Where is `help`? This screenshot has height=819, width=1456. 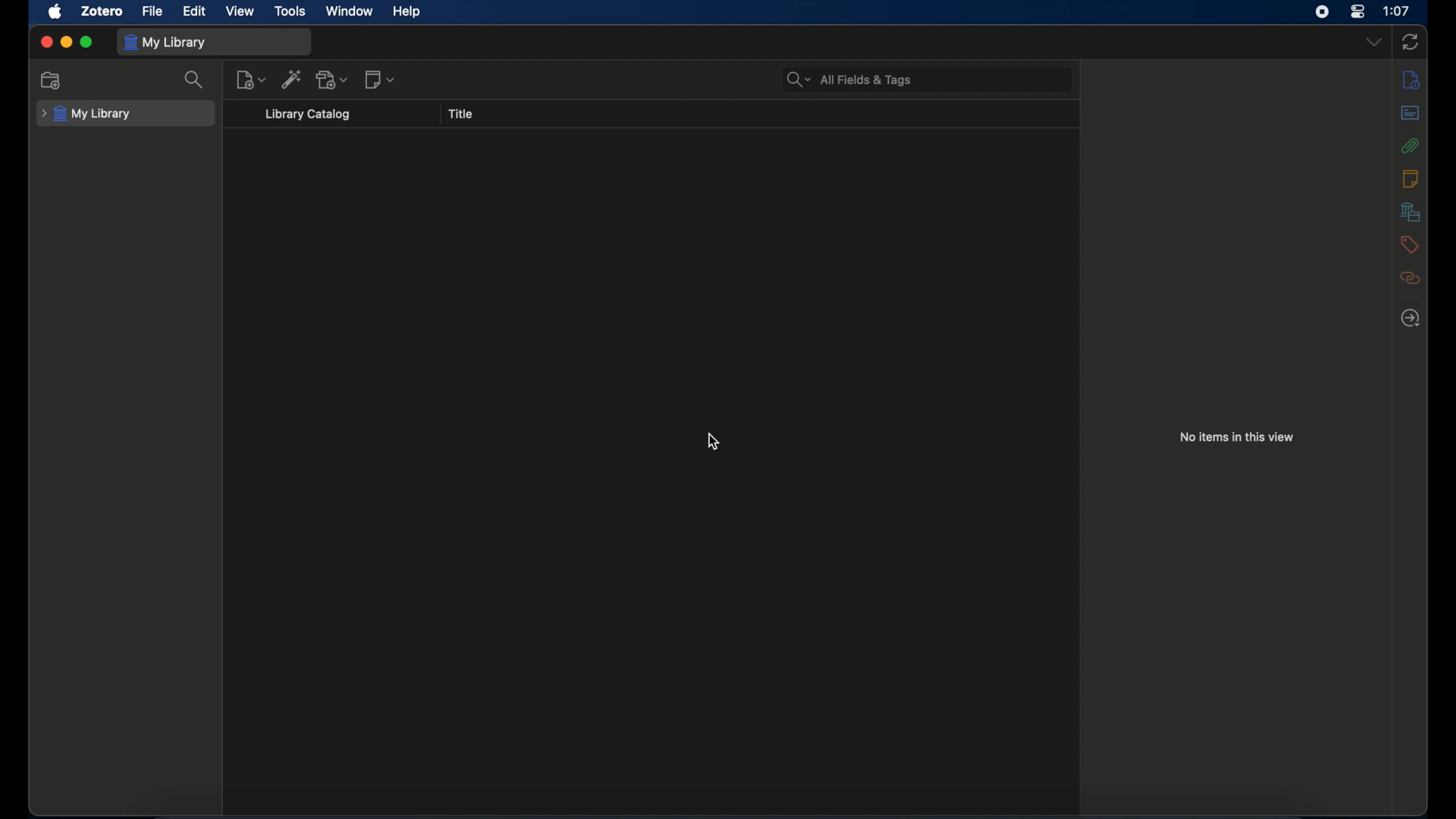 help is located at coordinates (408, 12).